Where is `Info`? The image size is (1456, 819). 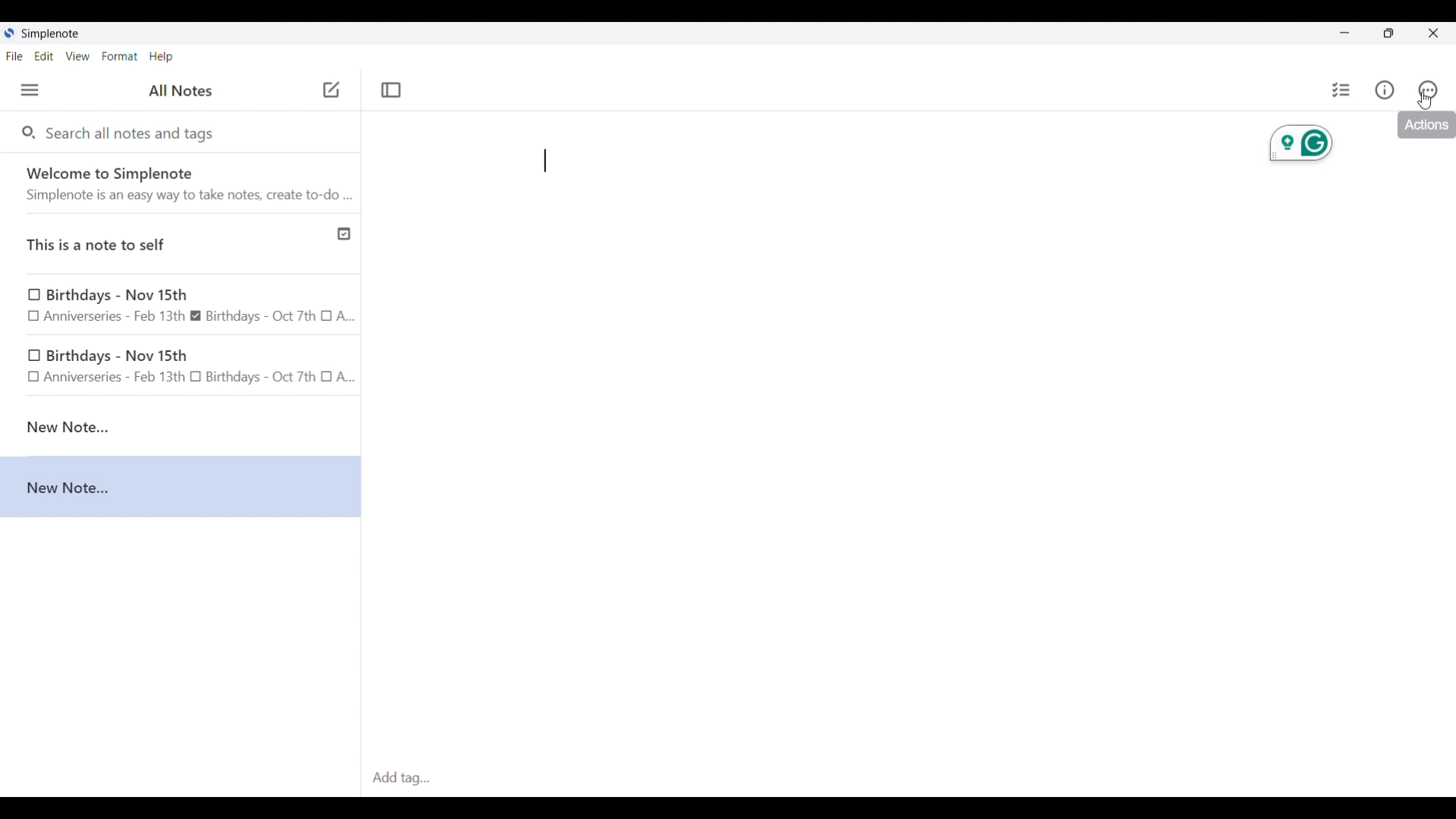 Info is located at coordinates (1385, 89).